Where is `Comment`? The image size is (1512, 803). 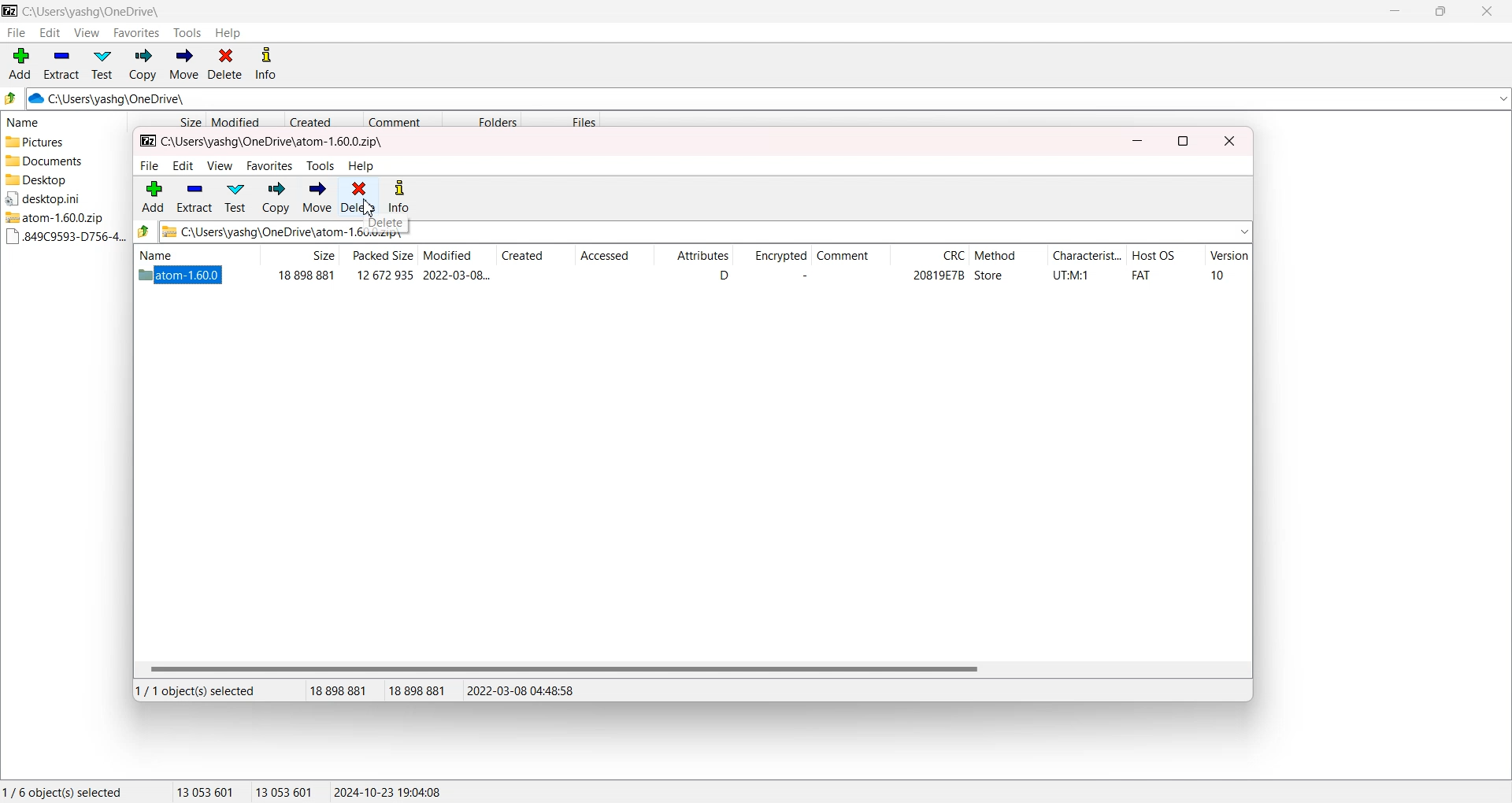
Comment is located at coordinates (849, 257).